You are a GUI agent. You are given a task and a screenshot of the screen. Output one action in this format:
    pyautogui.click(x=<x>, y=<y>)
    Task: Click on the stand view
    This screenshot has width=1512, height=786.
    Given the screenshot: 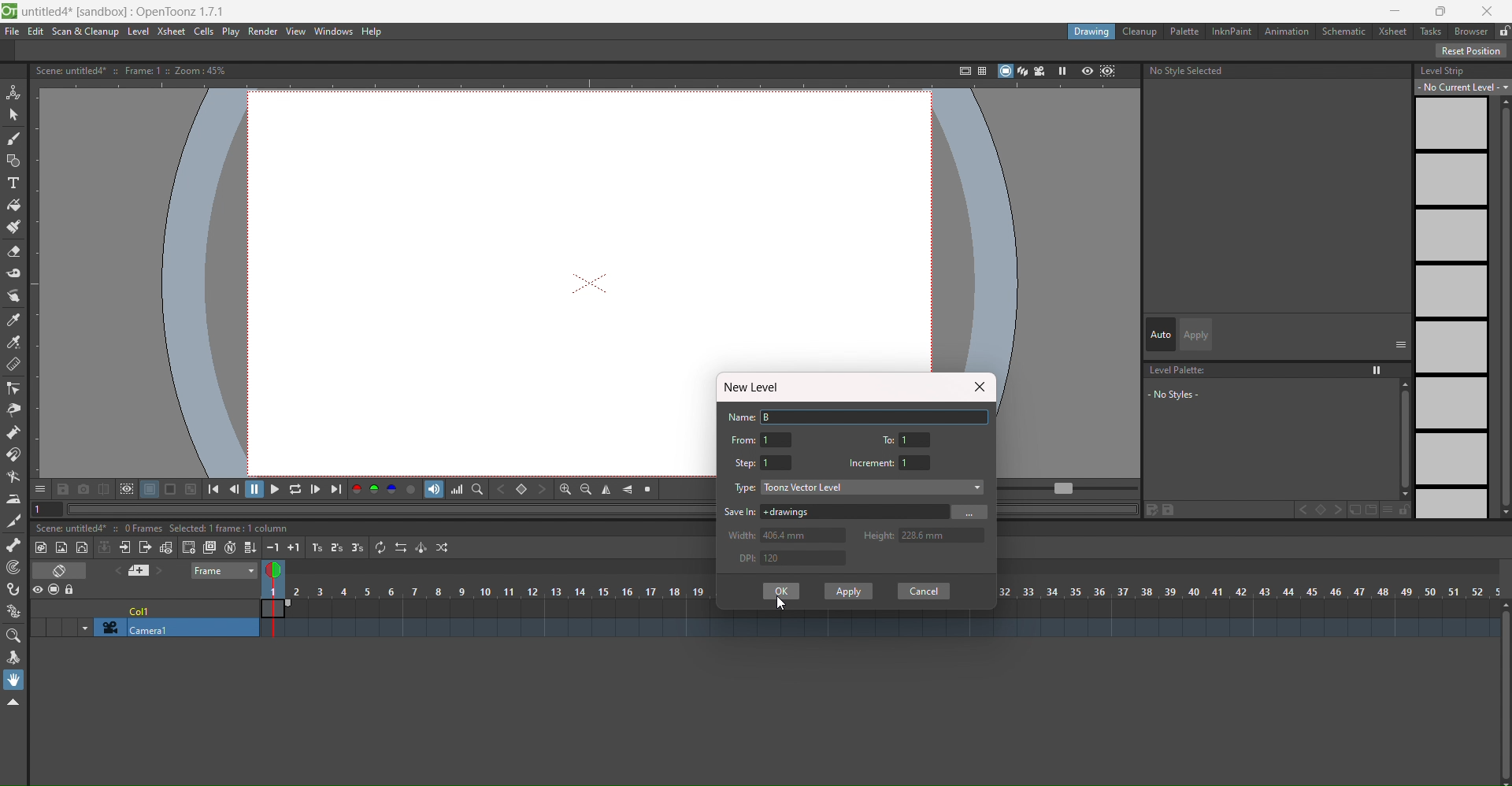 What is the action you would take?
    pyautogui.click(x=1012, y=72)
    